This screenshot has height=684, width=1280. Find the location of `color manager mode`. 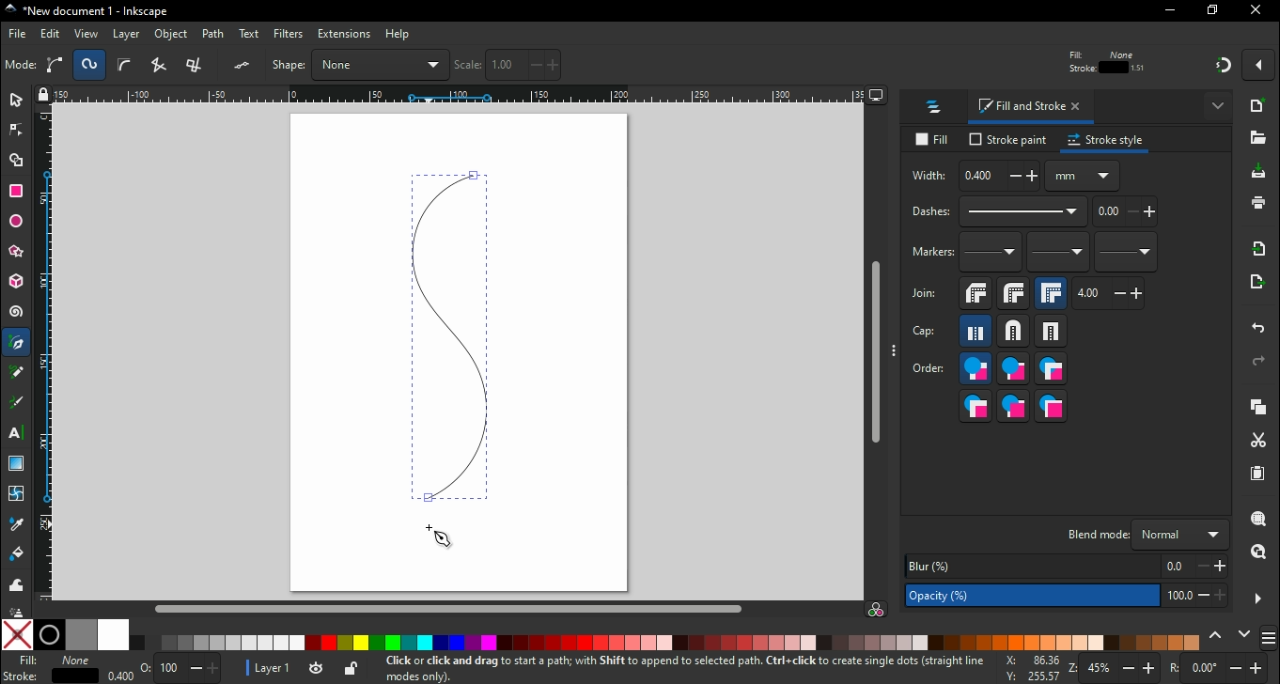

color manager mode is located at coordinates (878, 610).